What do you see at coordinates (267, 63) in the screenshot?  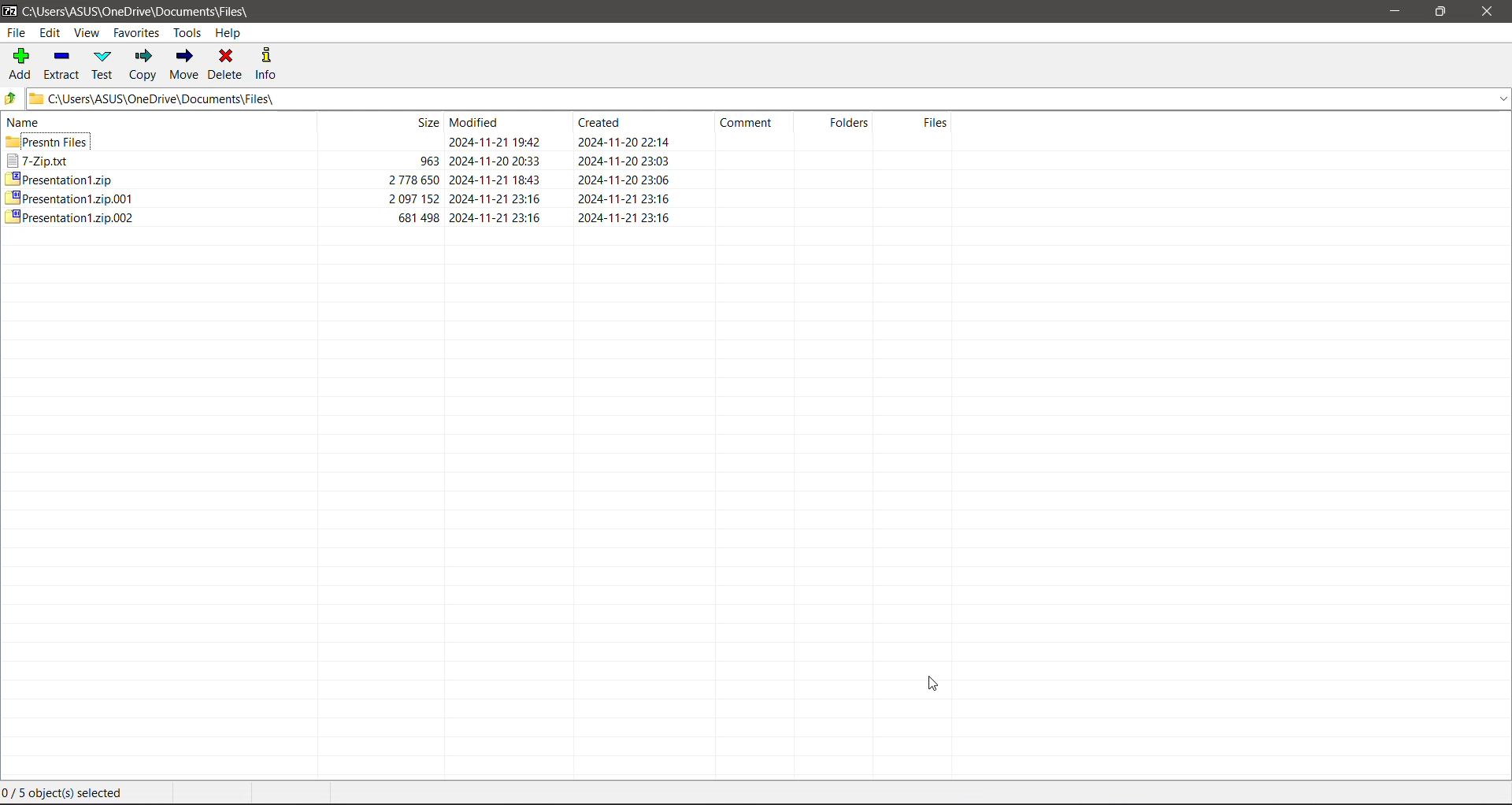 I see `Info` at bounding box center [267, 63].